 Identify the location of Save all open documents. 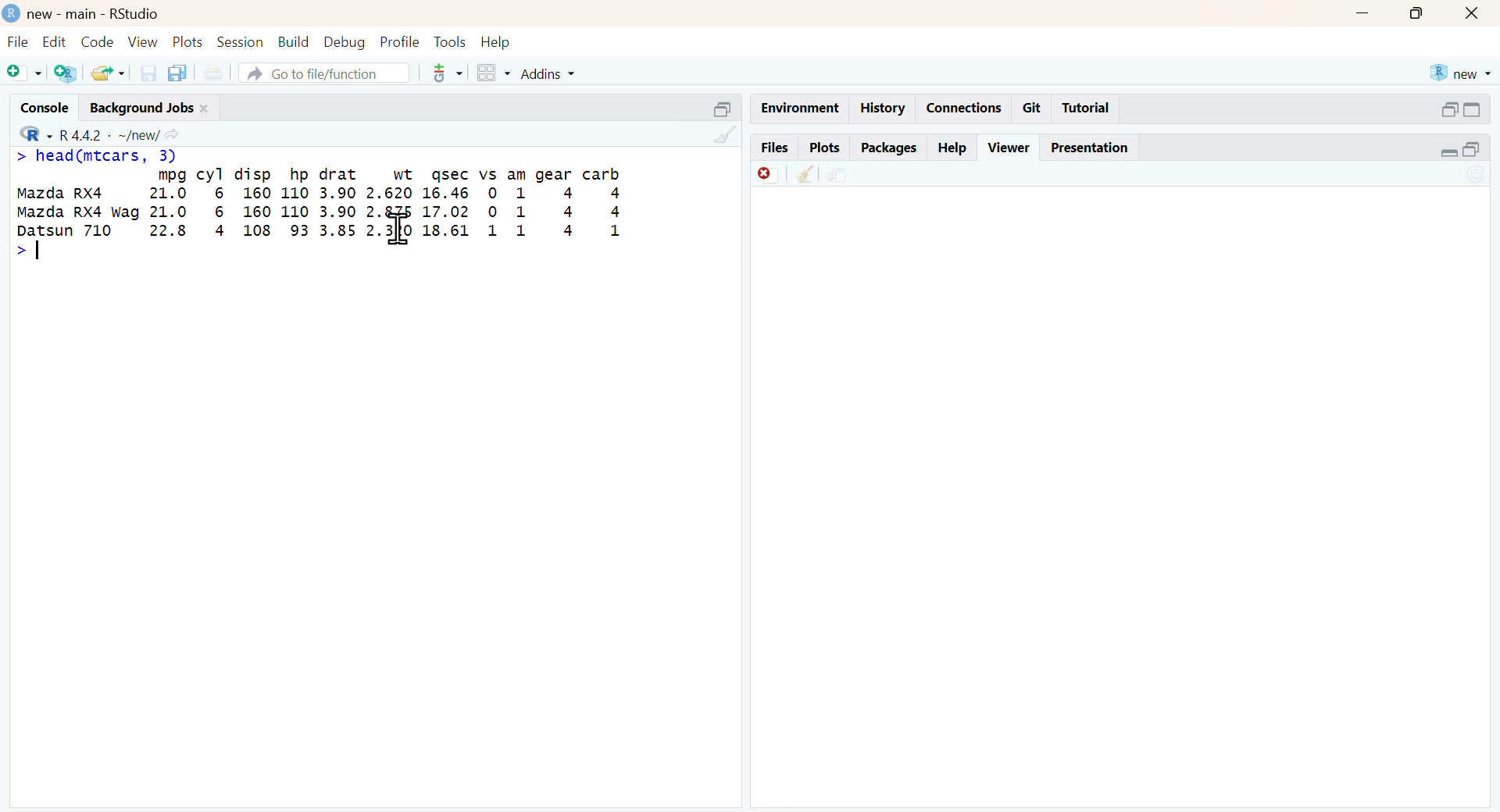
(177, 73).